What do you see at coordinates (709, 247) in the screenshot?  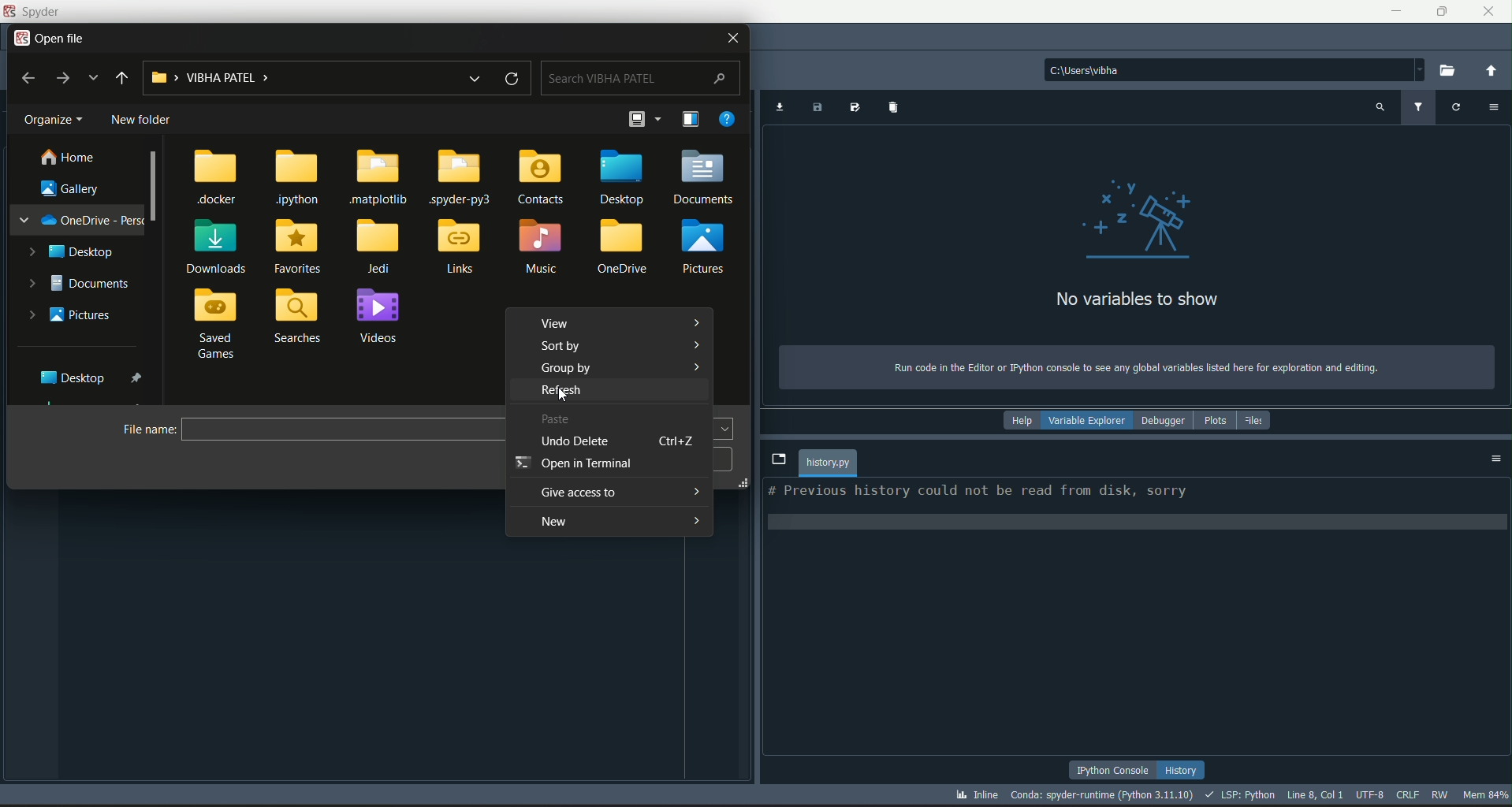 I see `pictures` at bounding box center [709, 247].